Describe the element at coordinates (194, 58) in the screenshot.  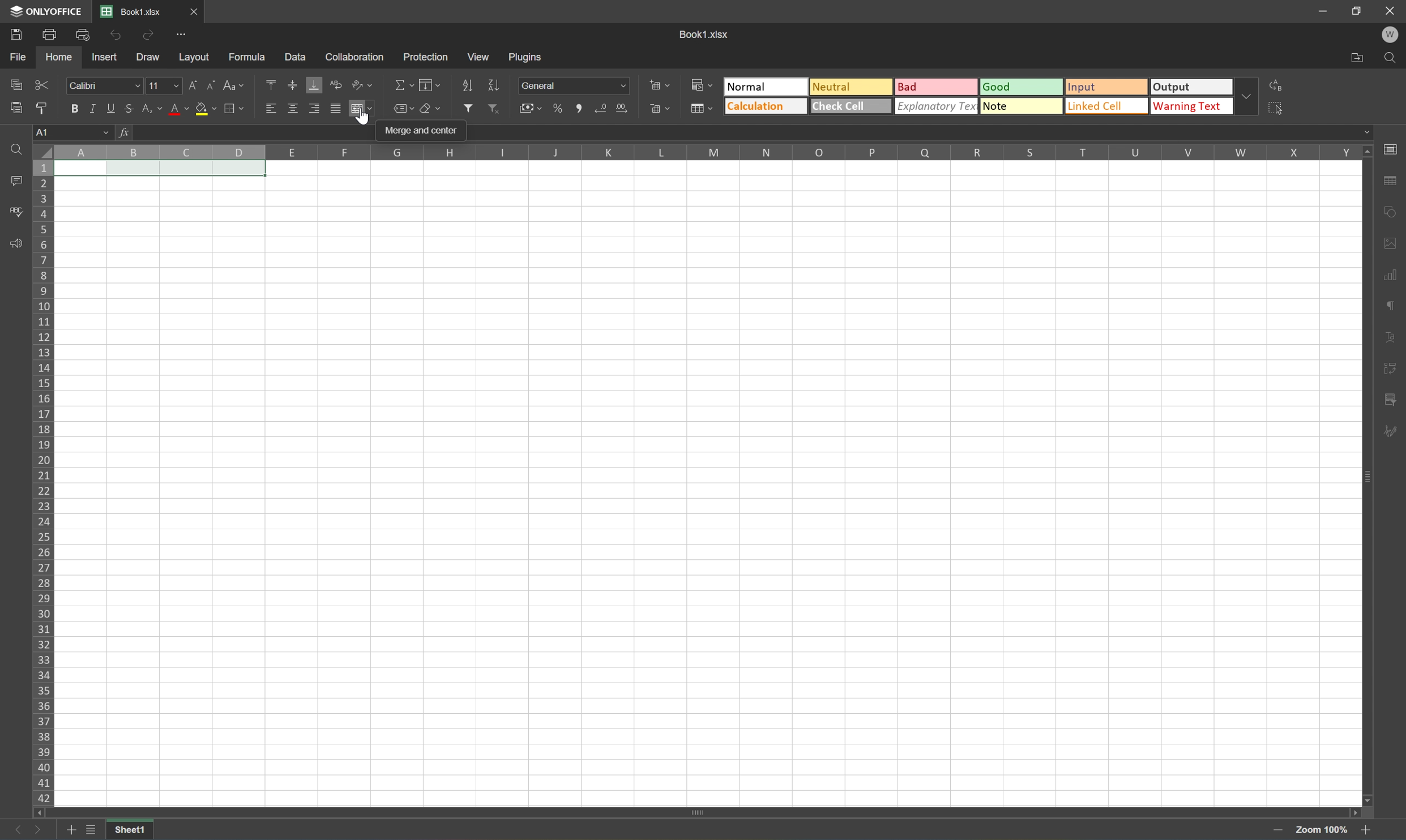
I see `Layout` at that location.